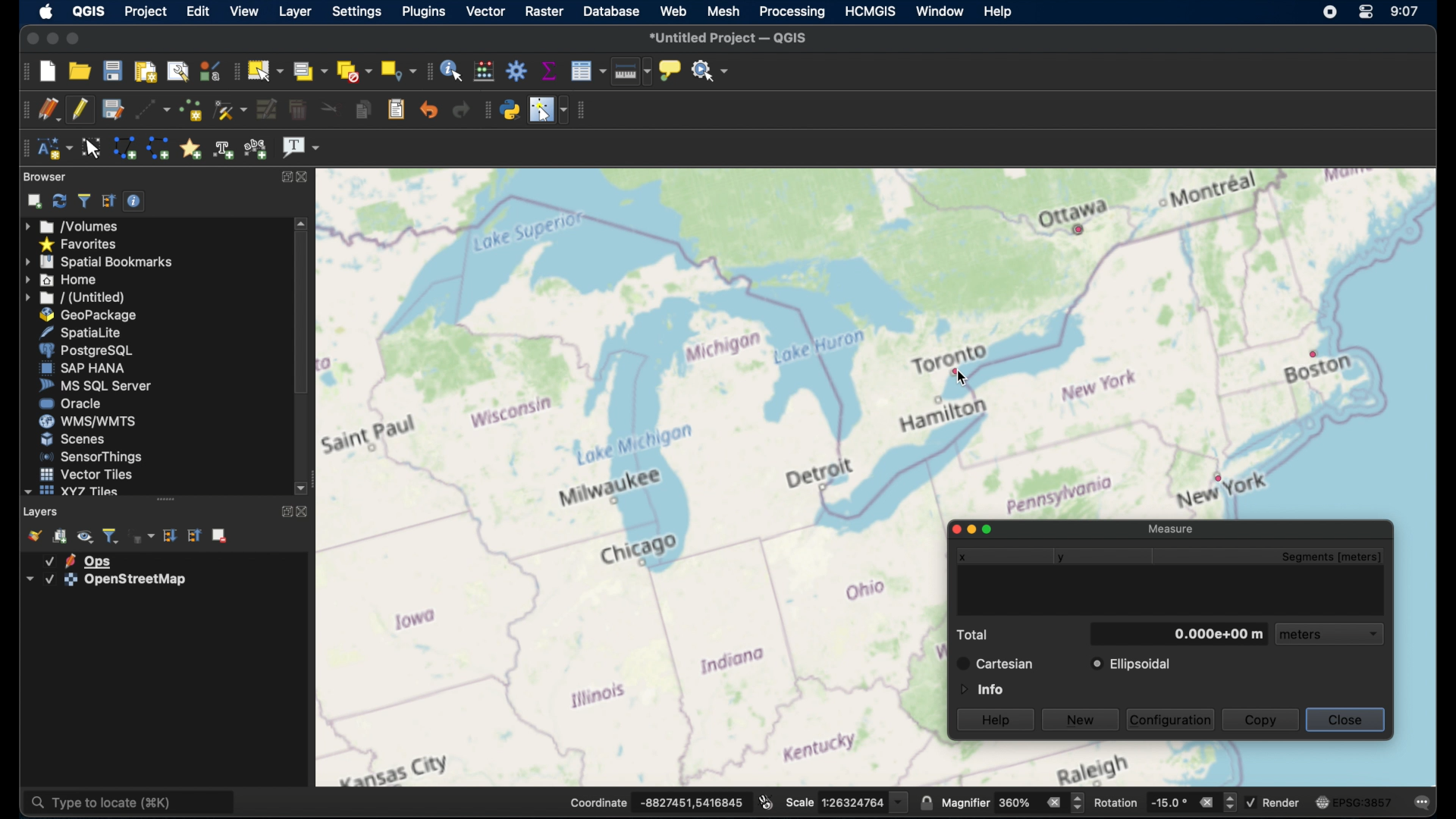  Describe the element at coordinates (926, 803) in the screenshot. I see `lock scale to use magnifier` at that location.